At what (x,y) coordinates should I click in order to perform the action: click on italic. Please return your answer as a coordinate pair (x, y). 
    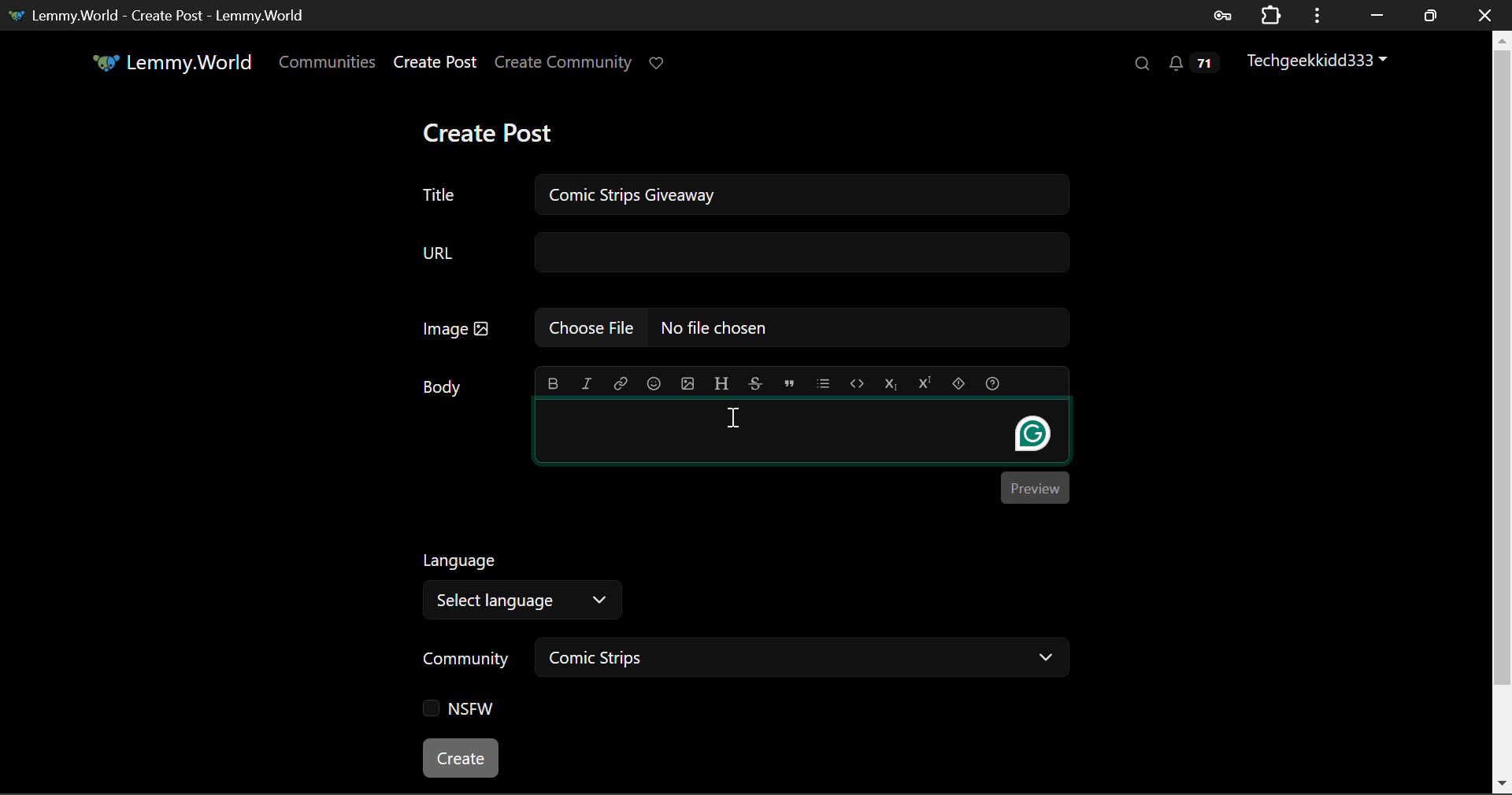
    Looking at the image, I should click on (589, 379).